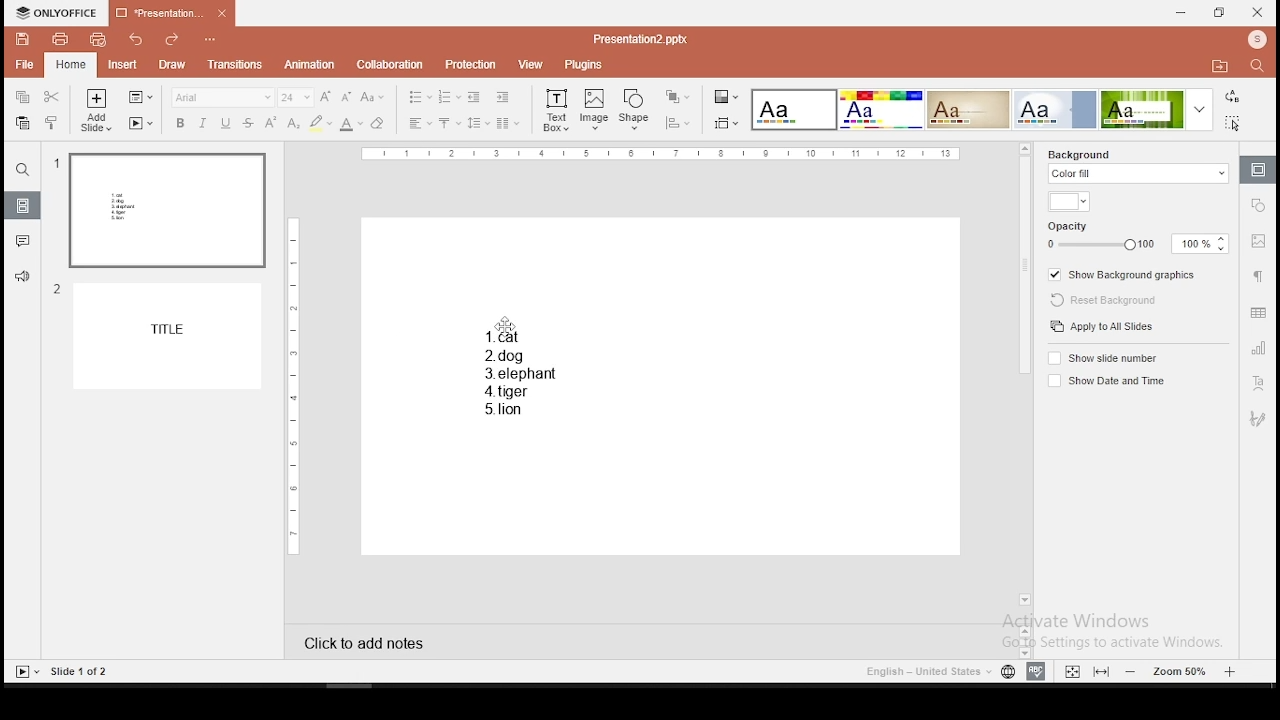  Describe the element at coordinates (224, 97) in the screenshot. I see `font` at that location.